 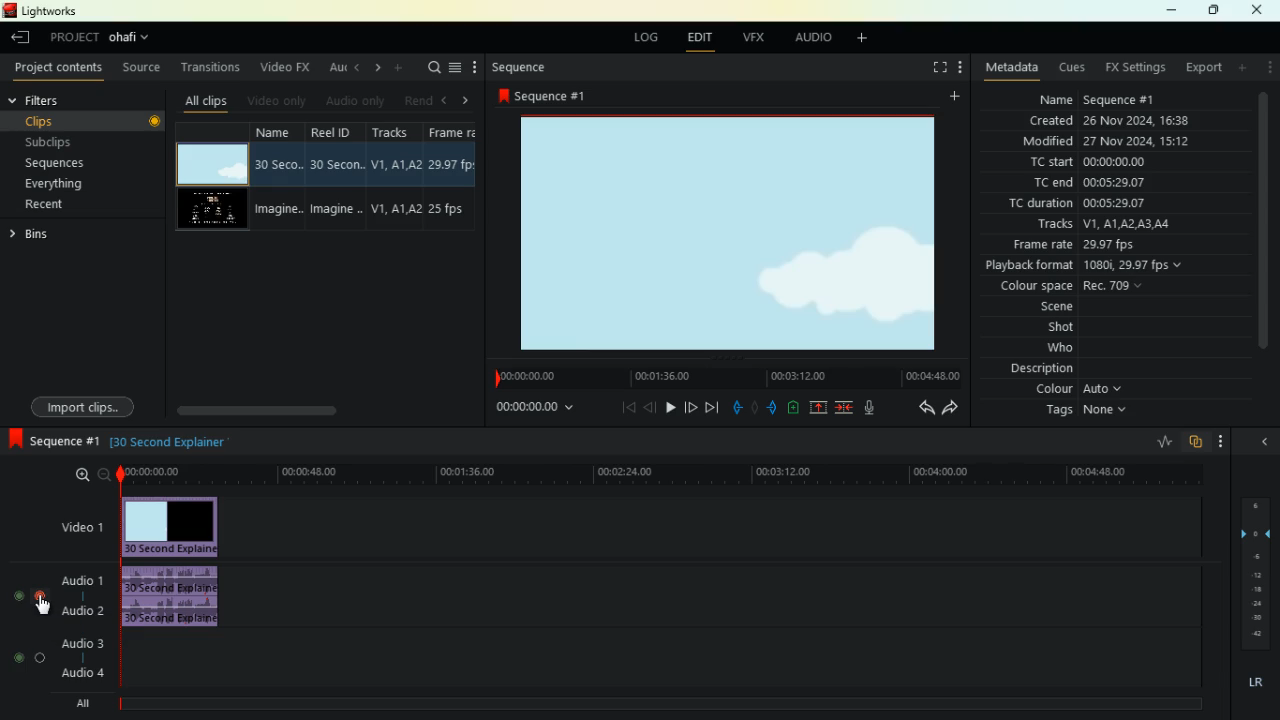 What do you see at coordinates (1085, 163) in the screenshot?
I see `tc start` at bounding box center [1085, 163].